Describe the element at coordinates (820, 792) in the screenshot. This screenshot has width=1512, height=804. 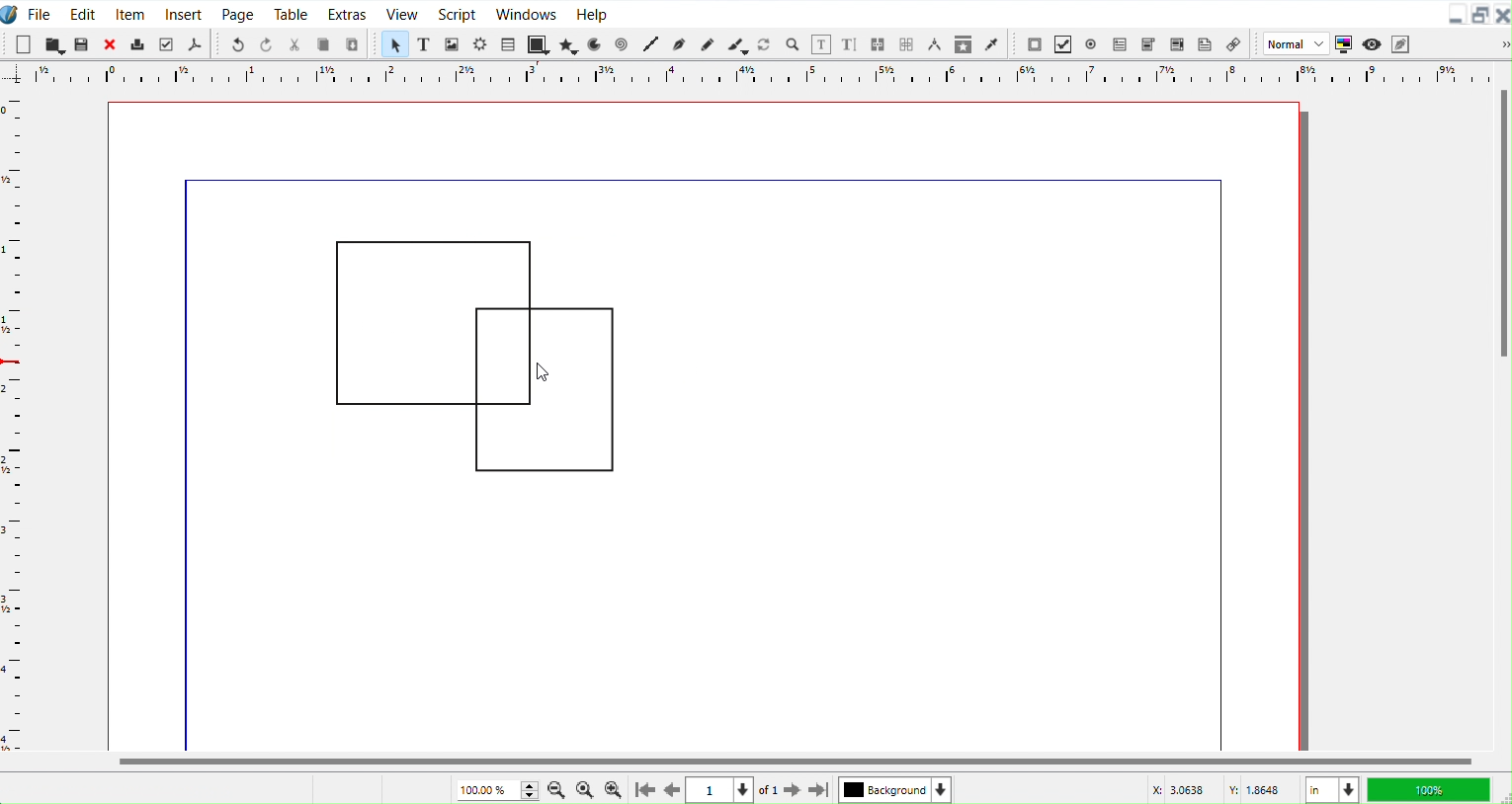
I see `Go to last Page` at that location.